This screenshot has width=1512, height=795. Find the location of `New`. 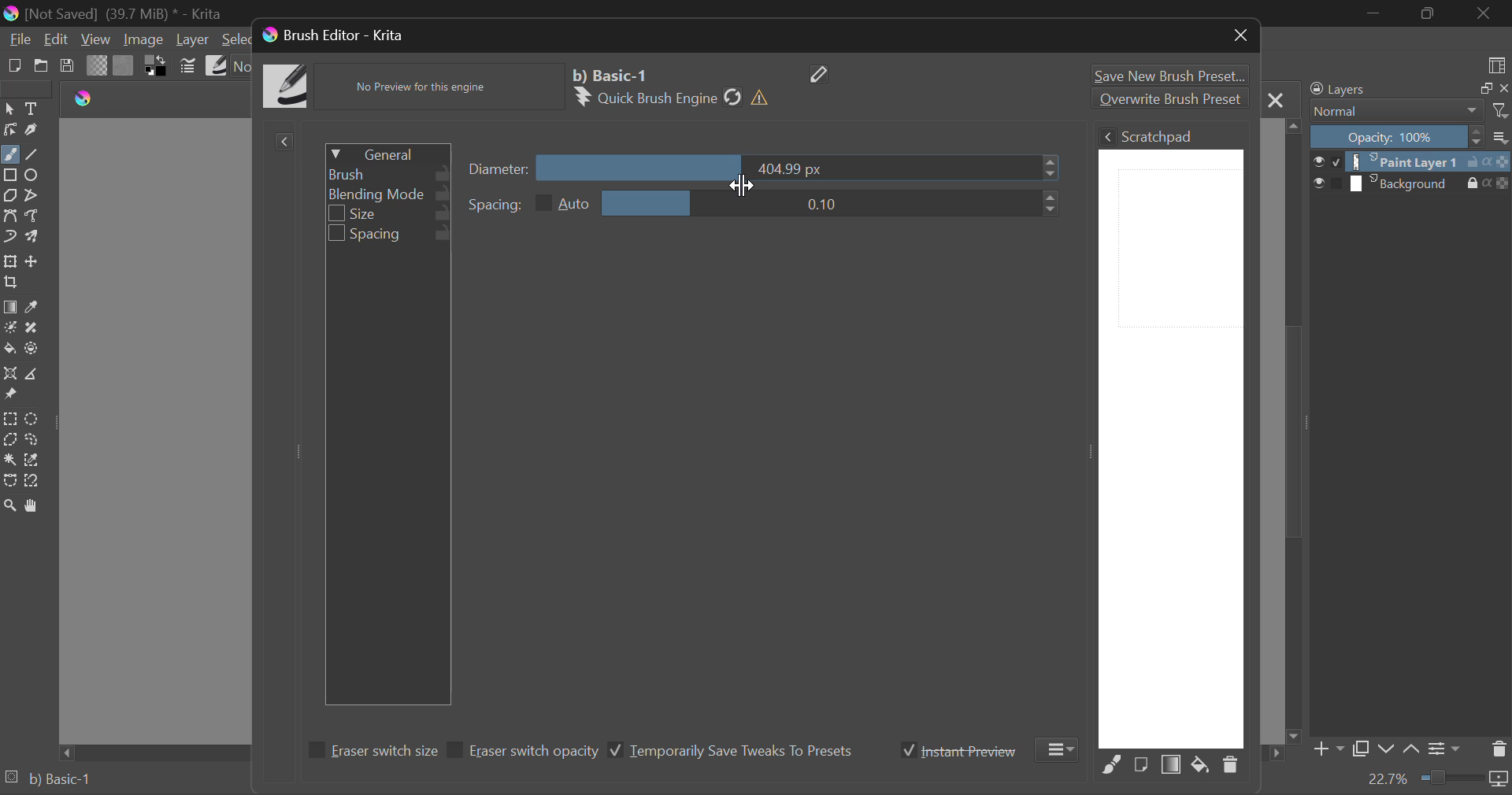

New is located at coordinates (13, 65).